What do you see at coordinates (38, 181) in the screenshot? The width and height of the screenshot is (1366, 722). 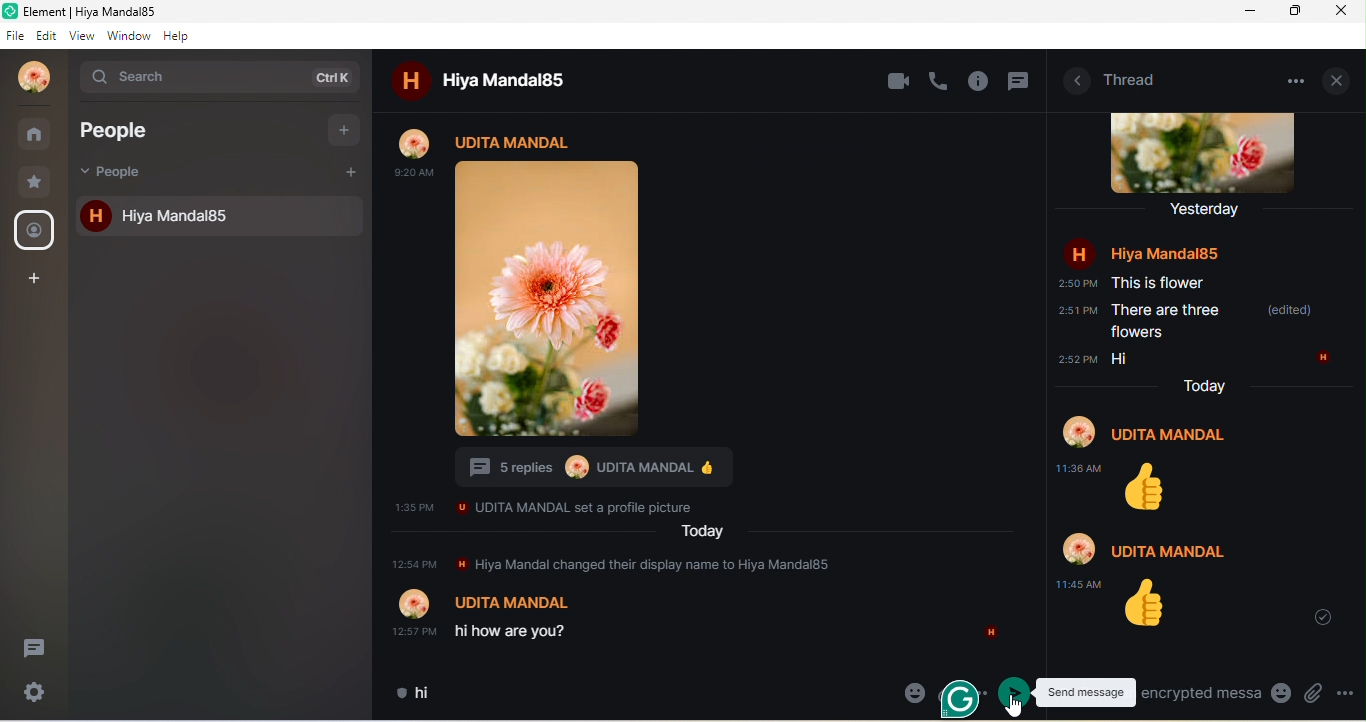 I see `favourite` at bounding box center [38, 181].